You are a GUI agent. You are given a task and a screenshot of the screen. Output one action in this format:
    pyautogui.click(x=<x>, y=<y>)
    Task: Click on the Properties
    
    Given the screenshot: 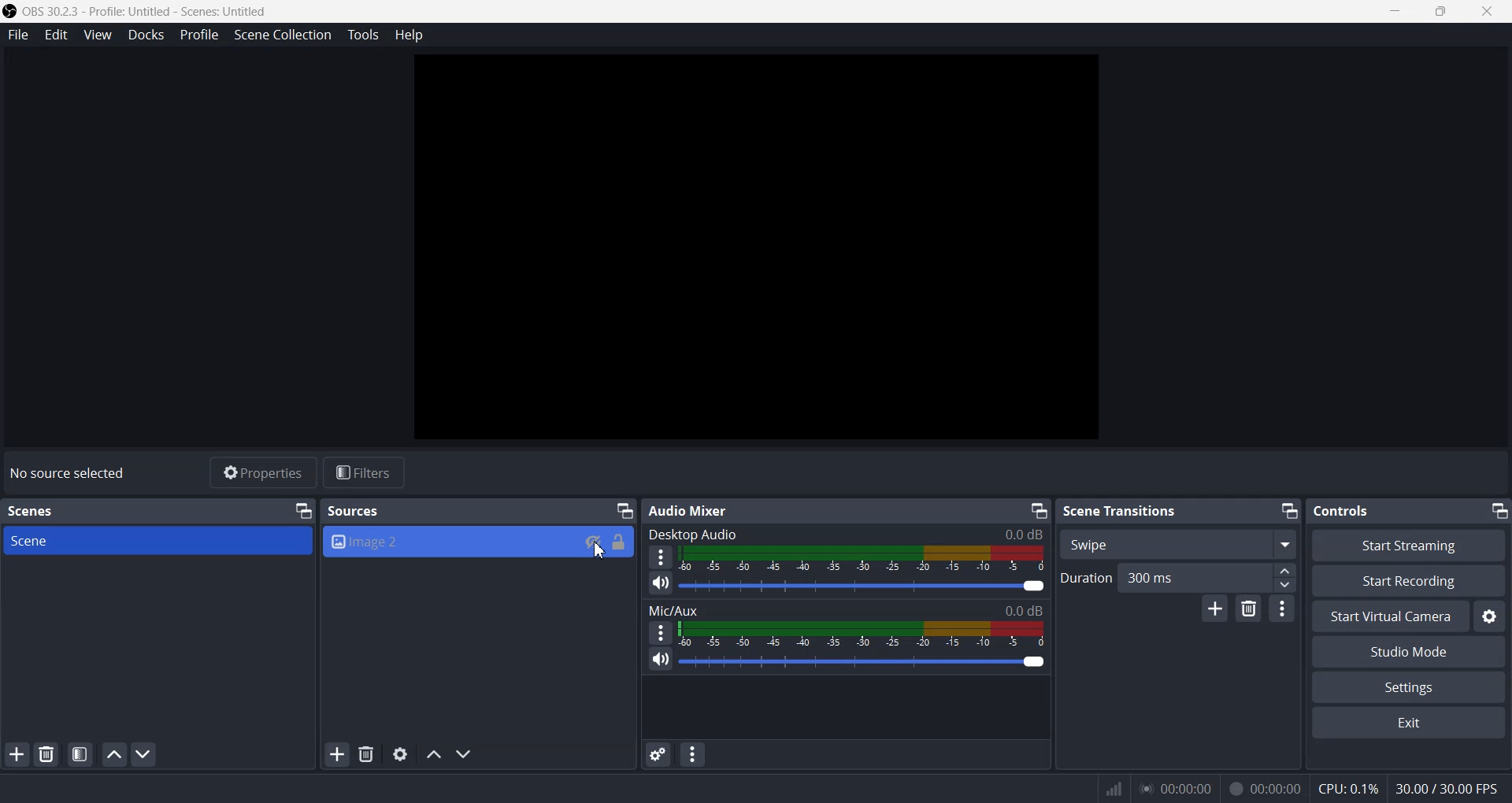 What is the action you would take?
    pyautogui.click(x=261, y=472)
    